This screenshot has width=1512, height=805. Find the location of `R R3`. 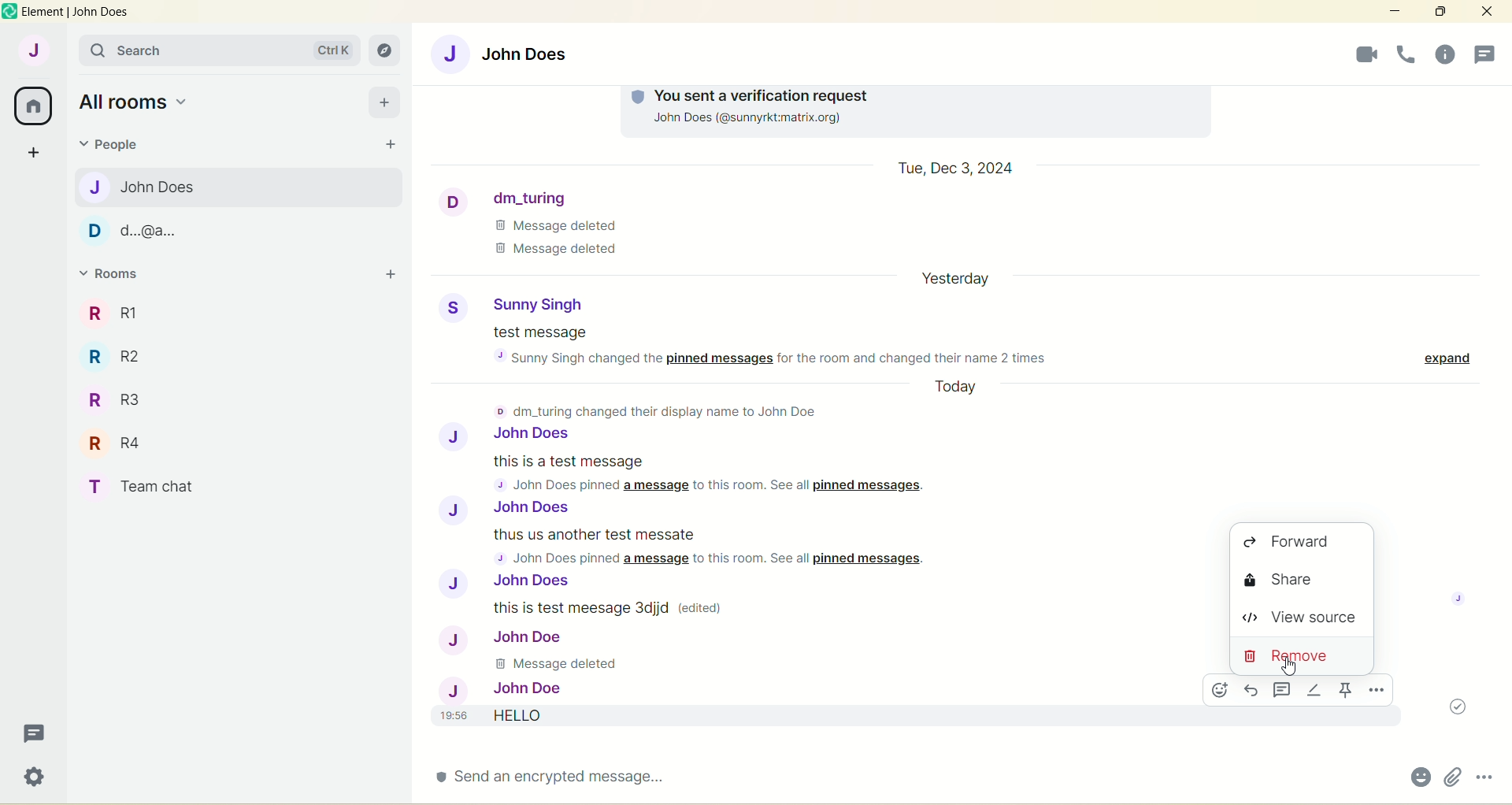

R R3 is located at coordinates (115, 395).